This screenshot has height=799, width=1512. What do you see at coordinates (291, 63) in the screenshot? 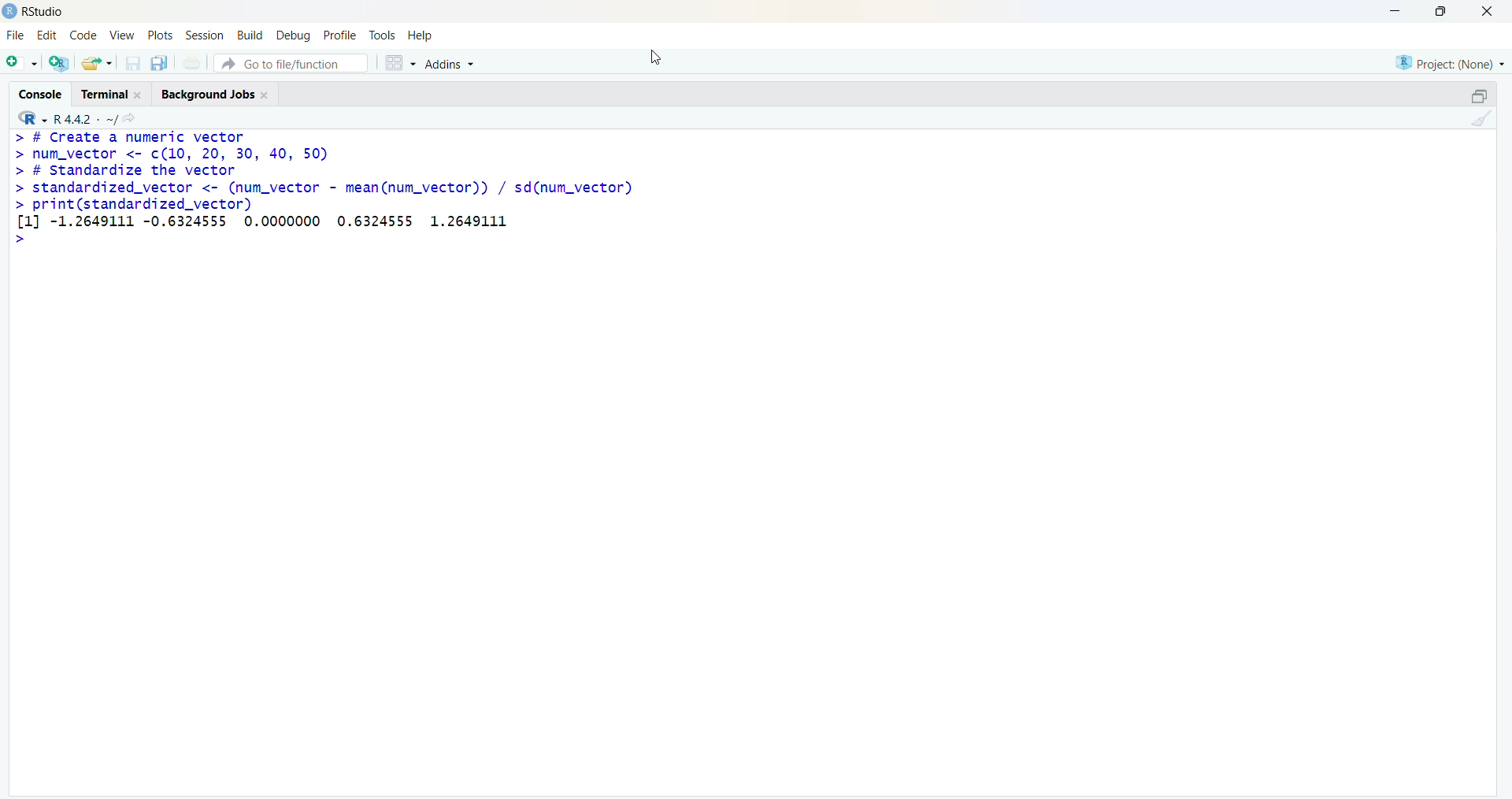
I see `go to file/function` at bounding box center [291, 63].